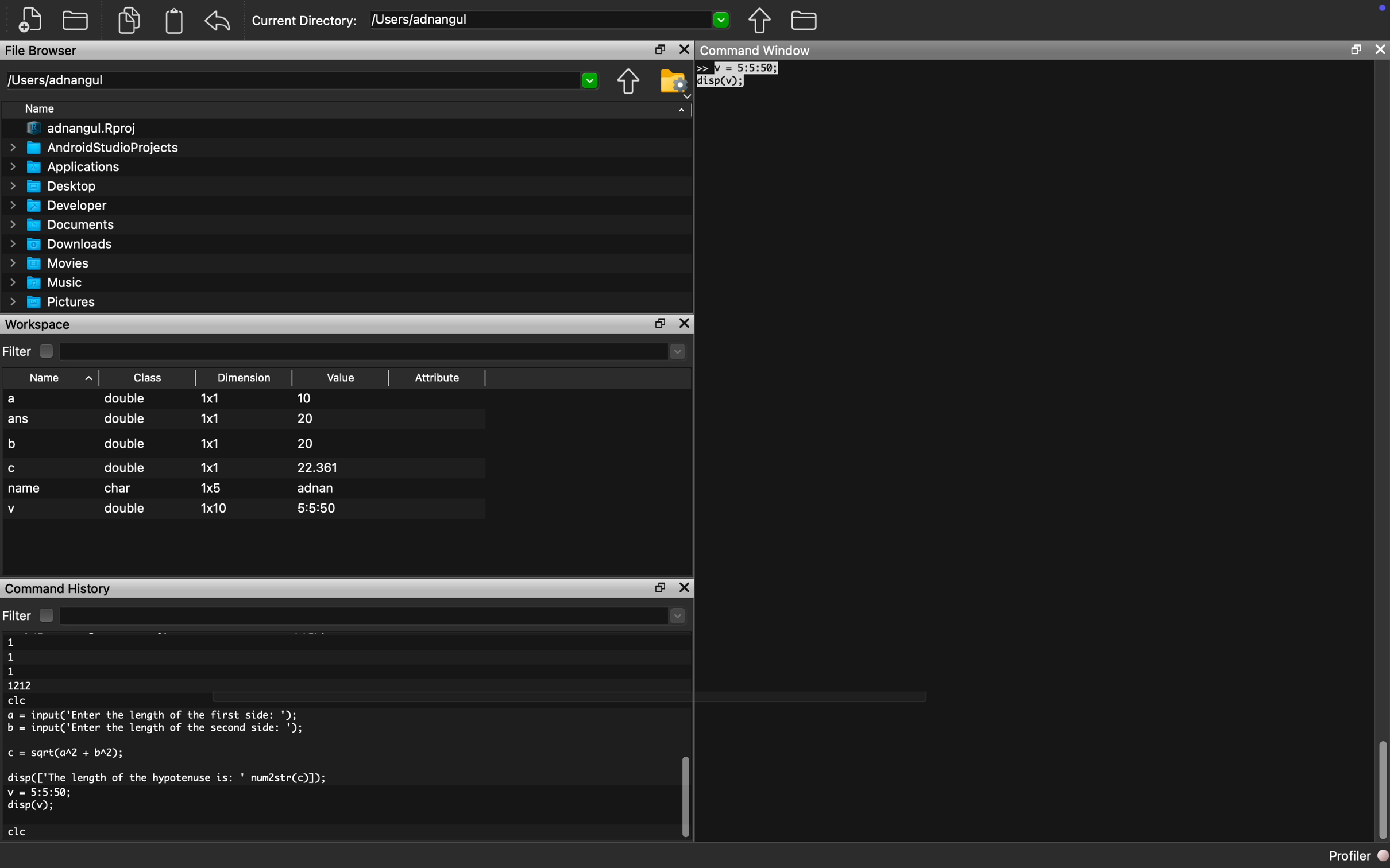  What do you see at coordinates (720, 20) in the screenshot?
I see `Dropdown` at bounding box center [720, 20].